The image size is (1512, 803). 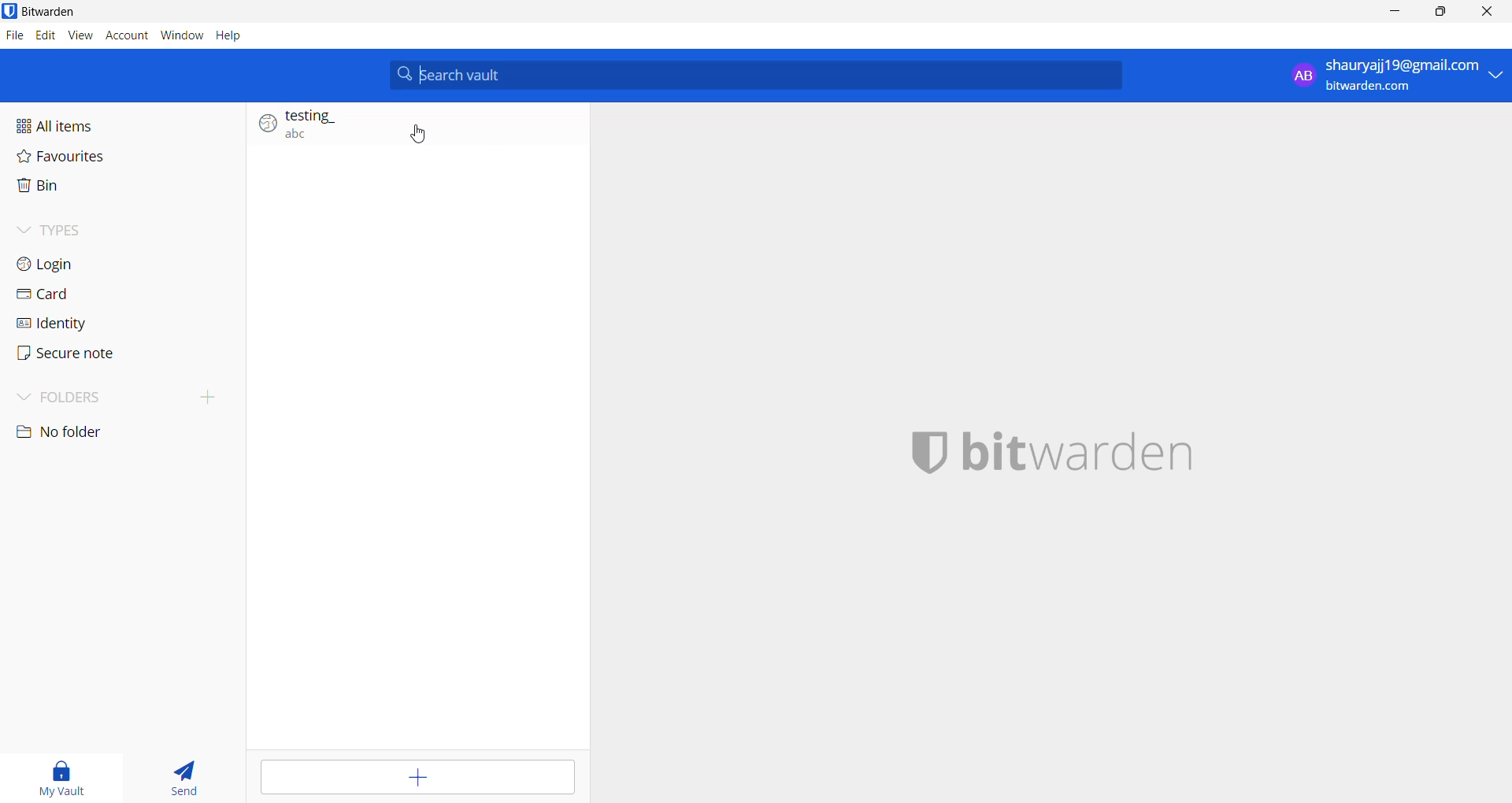 I want to click on Folders, so click(x=84, y=398).